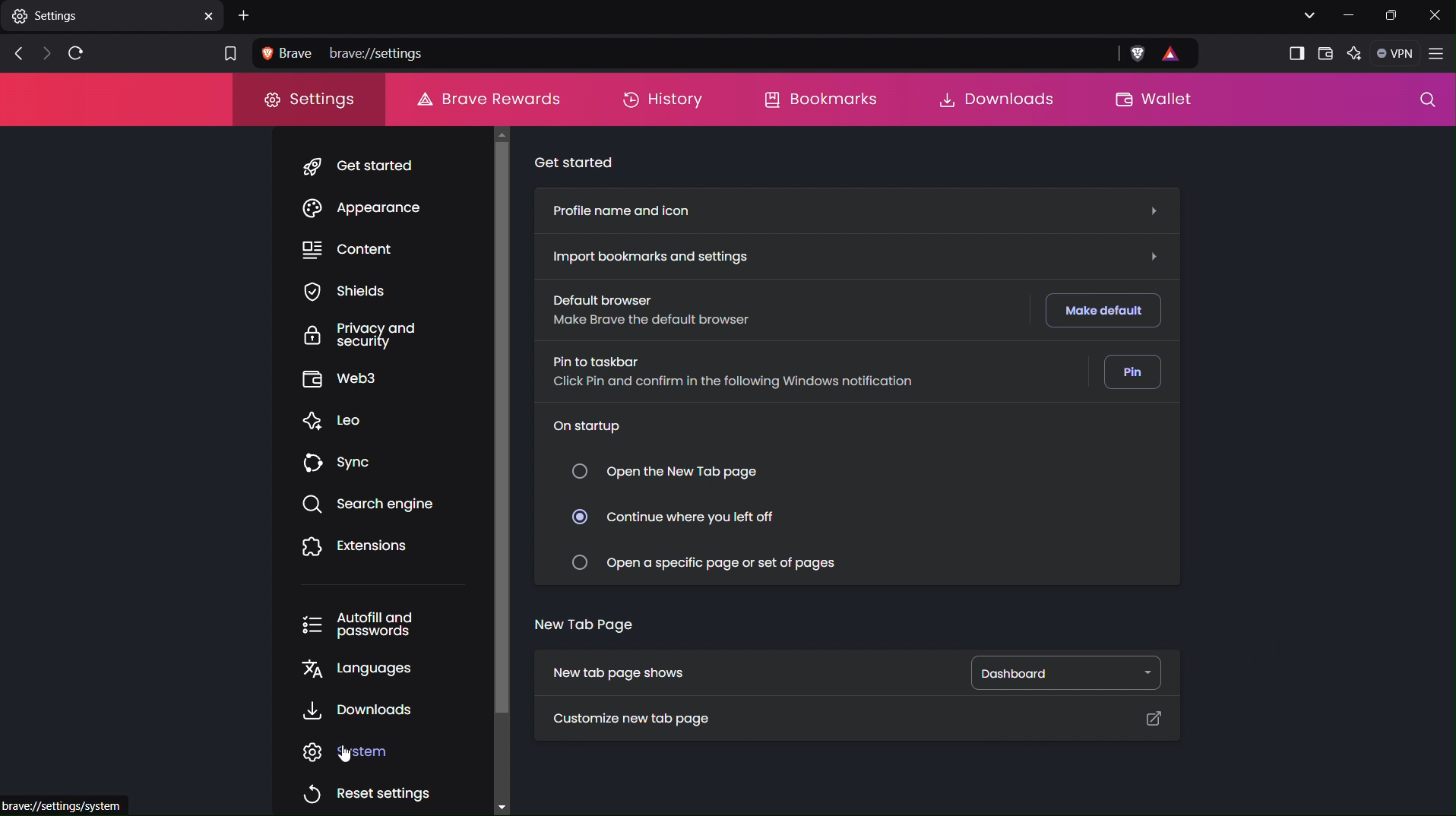  What do you see at coordinates (1296, 54) in the screenshot?
I see `Show sidebar` at bounding box center [1296, 54].